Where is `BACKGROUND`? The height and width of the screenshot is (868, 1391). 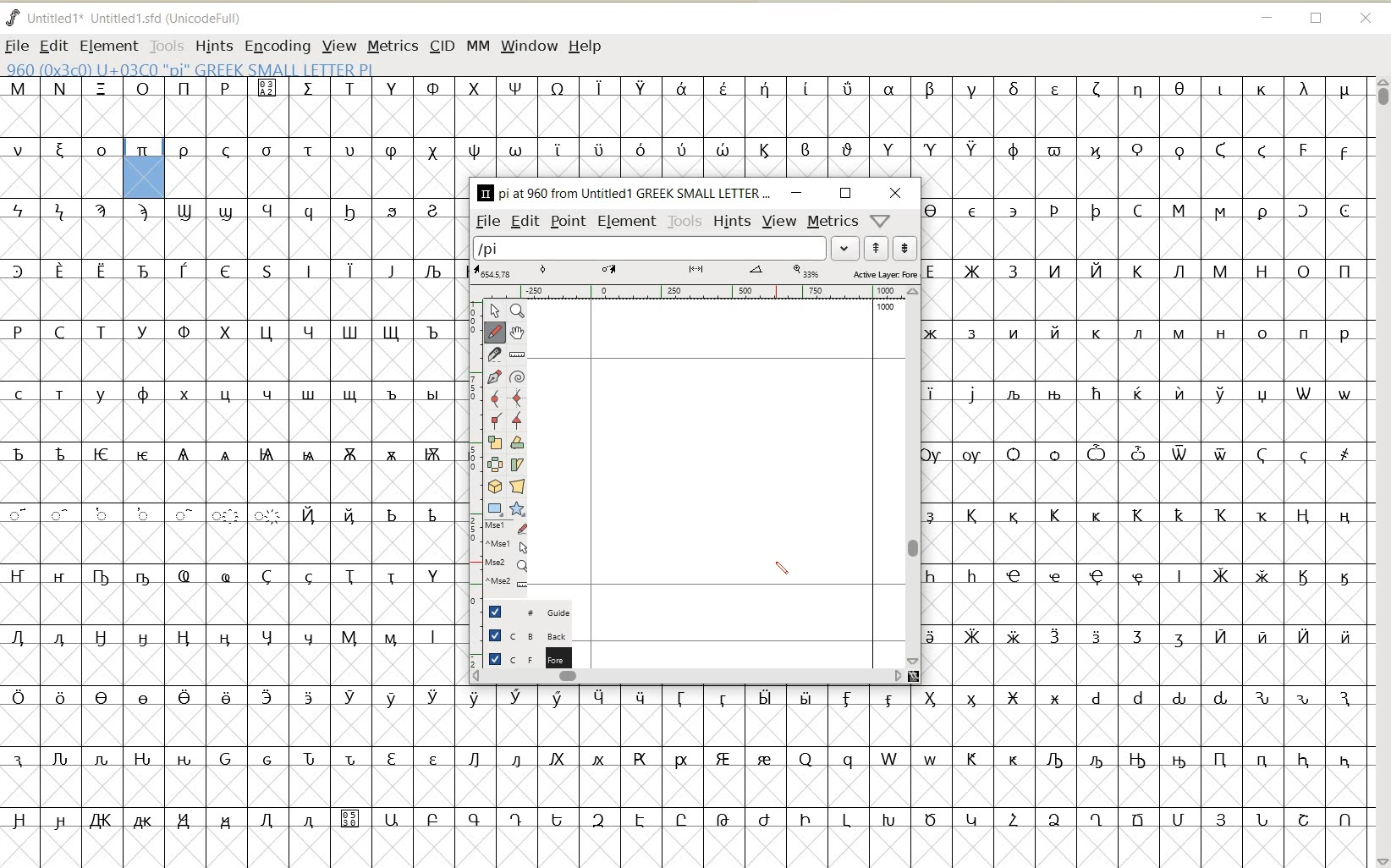
BACKGROUND is located at coordinates (520, 658).